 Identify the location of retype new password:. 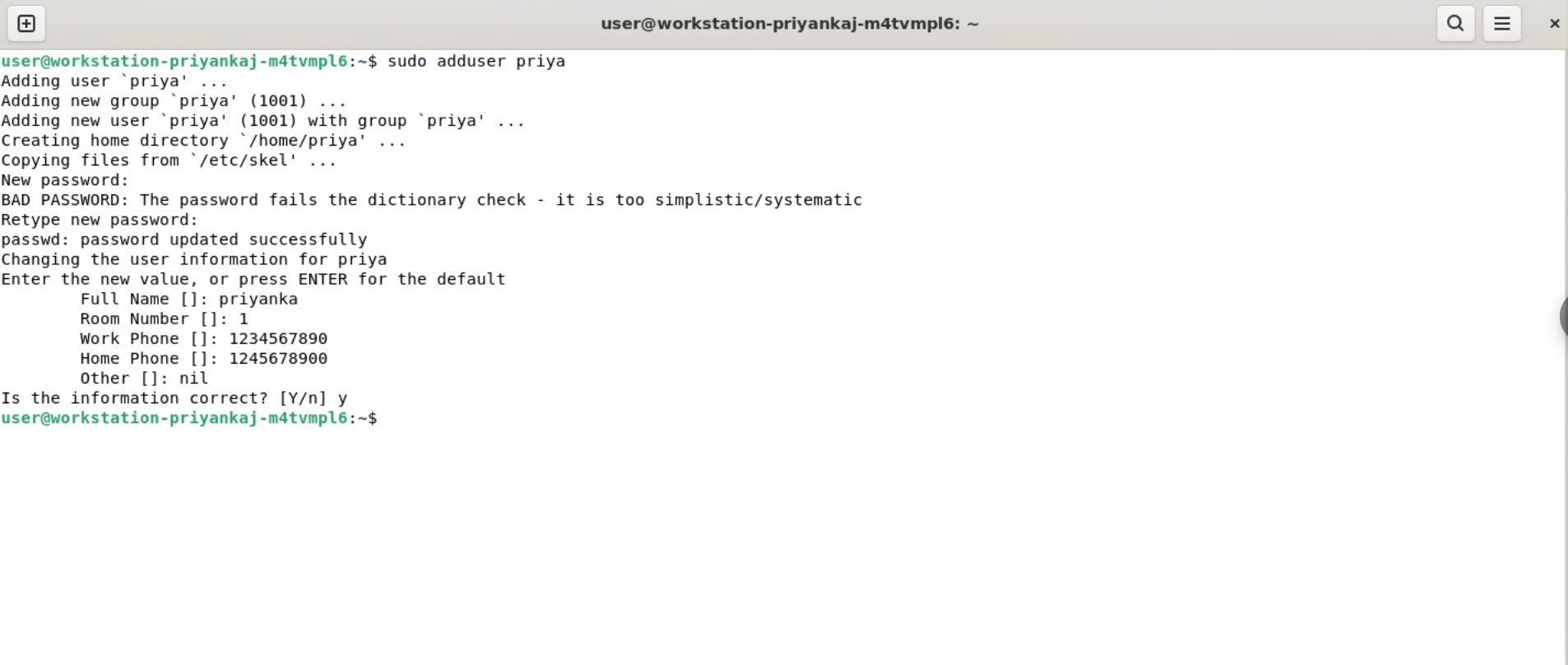
(114, 219).